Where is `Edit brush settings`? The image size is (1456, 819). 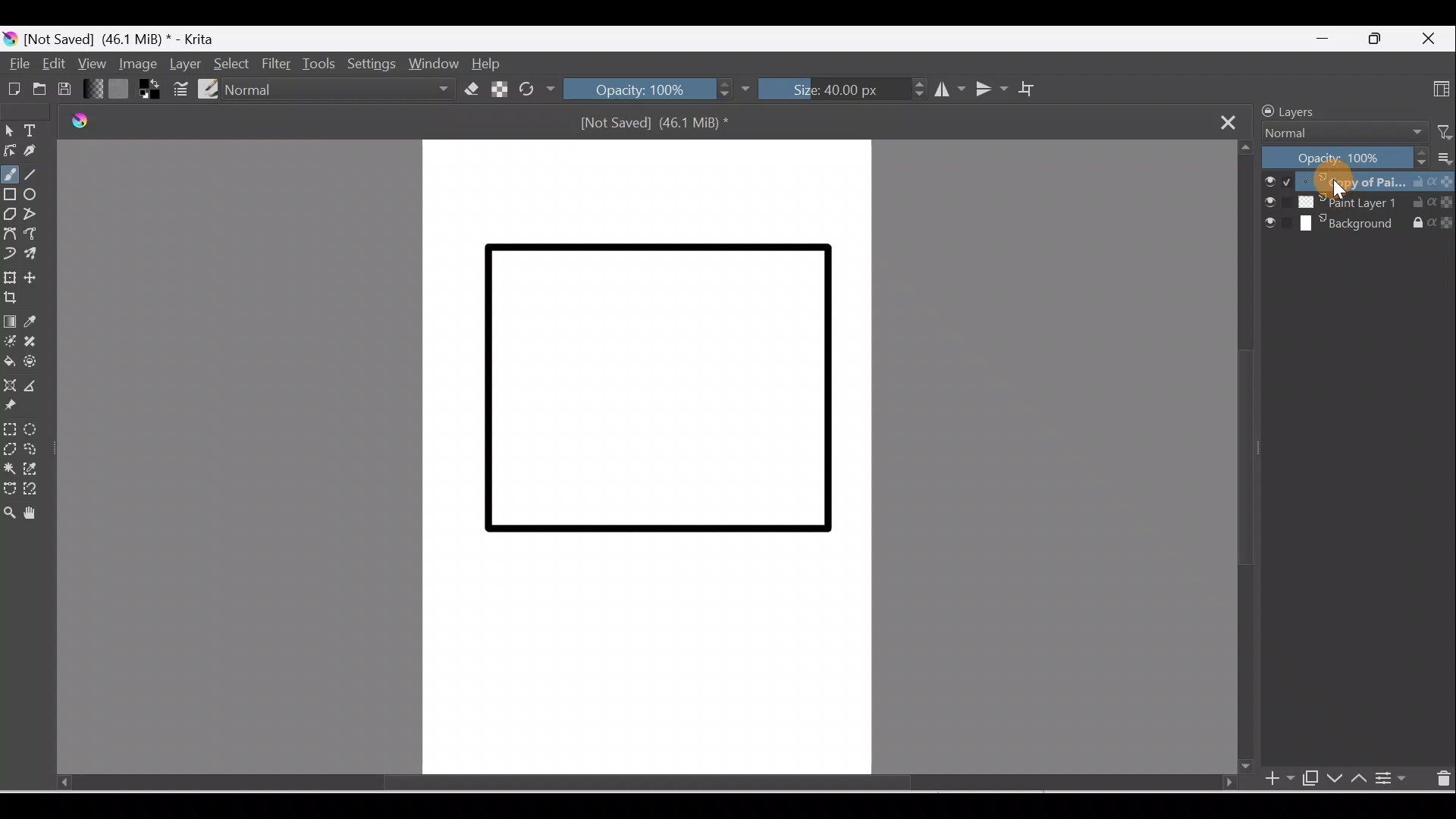 Edit brush settings is located at coordinates (178, 89).